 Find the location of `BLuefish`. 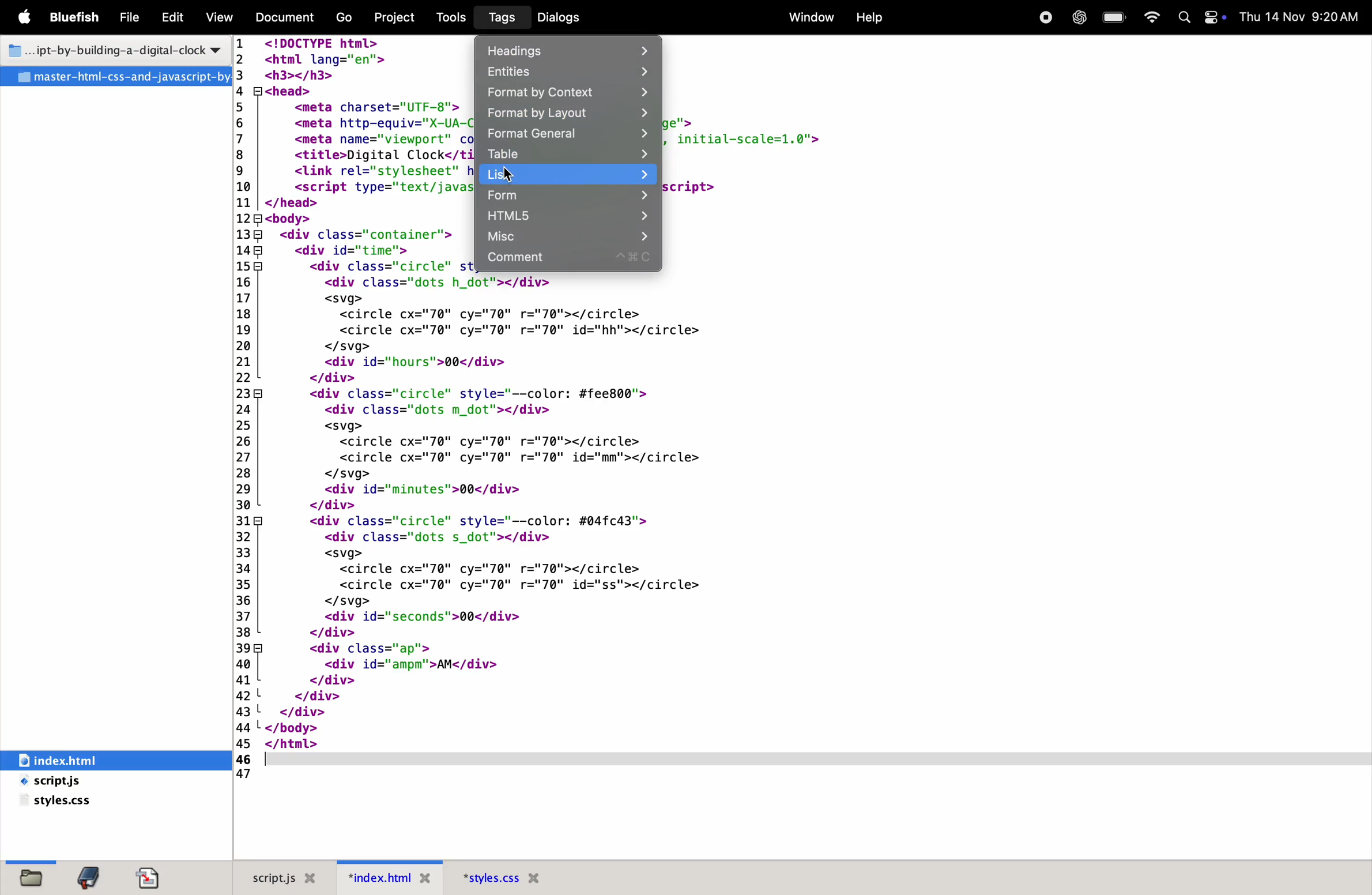

BLuefish is located at coordinates (77, 16).